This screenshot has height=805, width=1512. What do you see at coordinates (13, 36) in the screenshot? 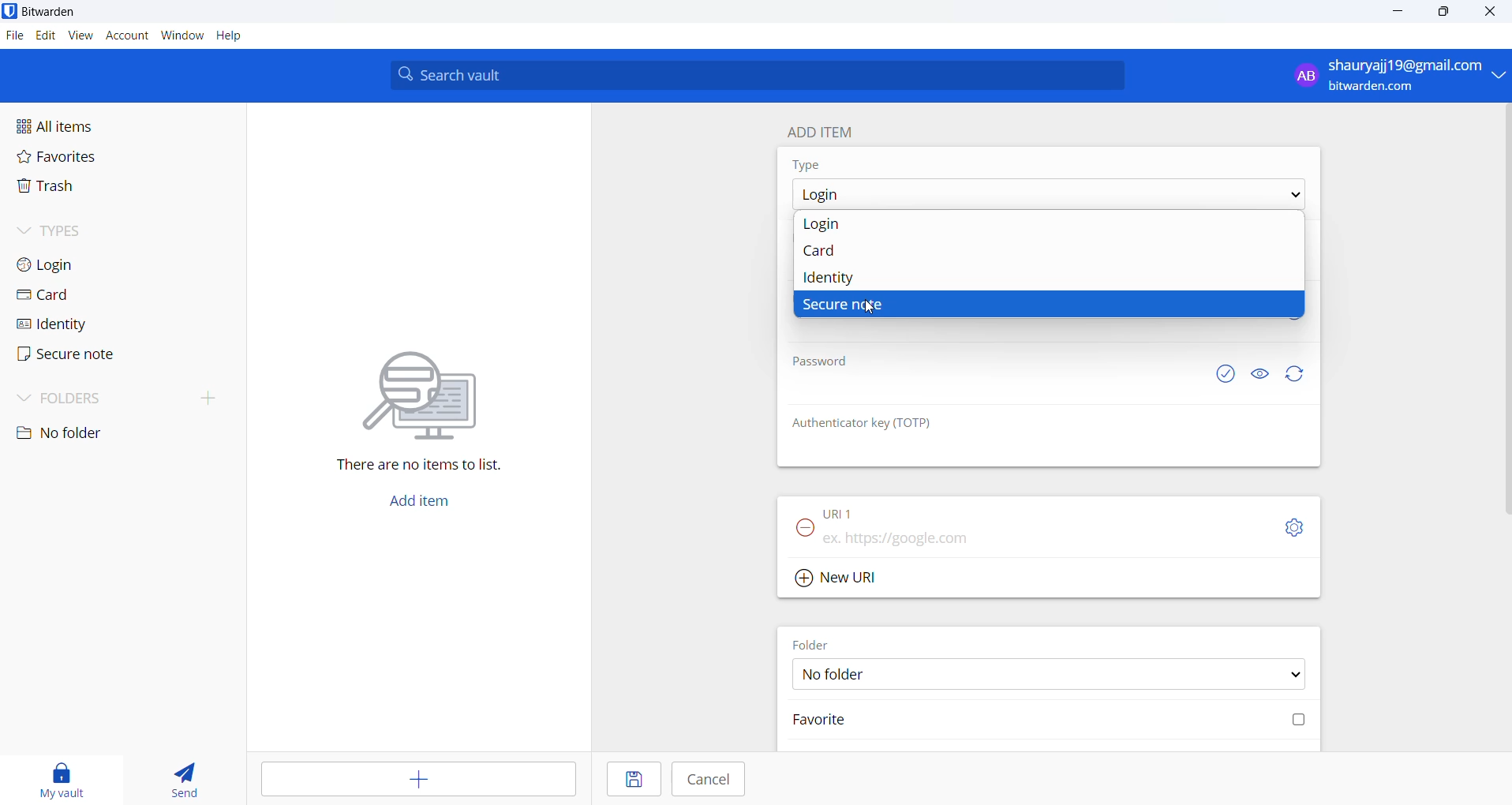
I see `file` at bounding box center [13, 36].